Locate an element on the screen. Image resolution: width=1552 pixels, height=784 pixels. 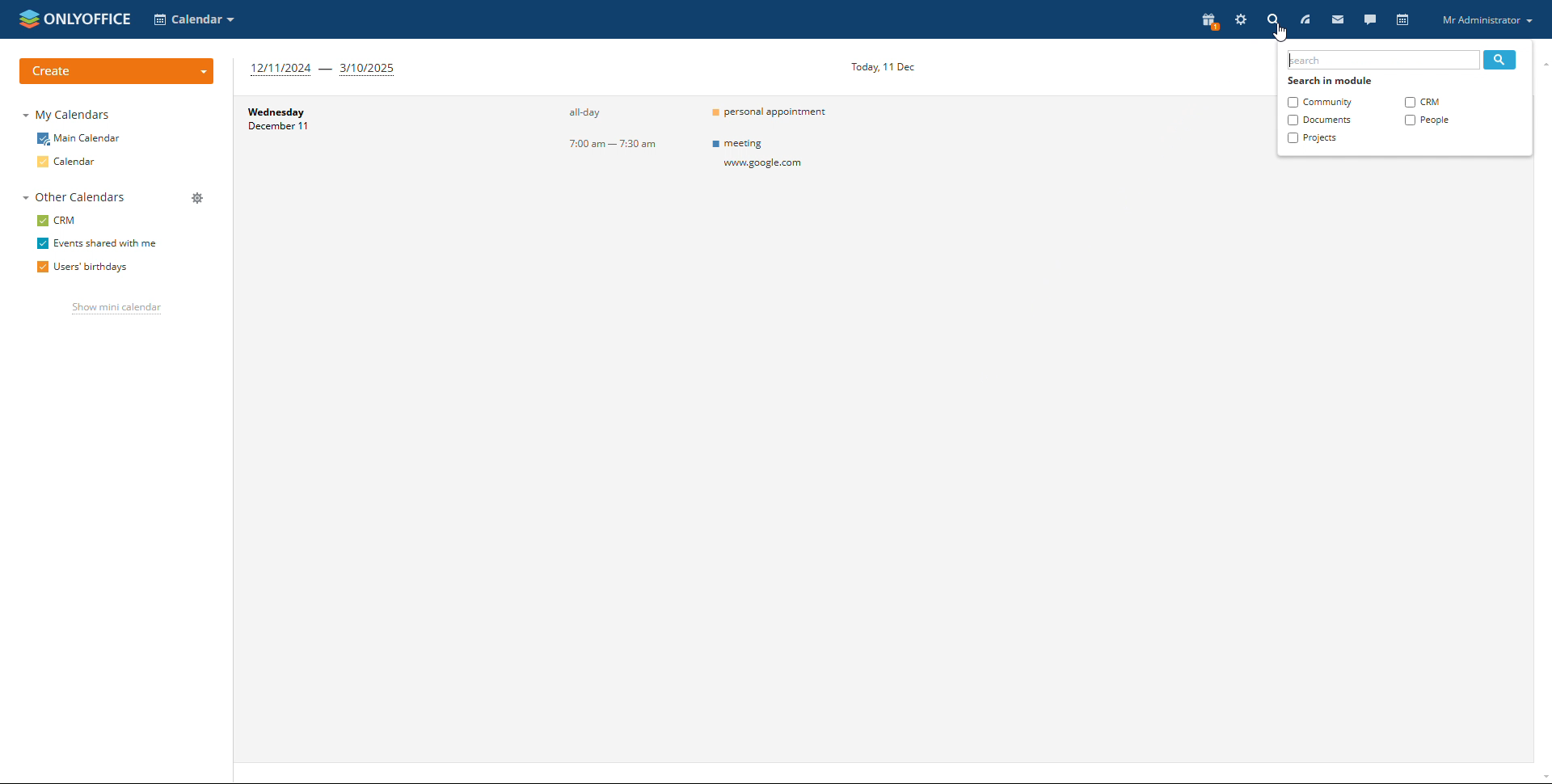
people is located at coordinates (1426, 120).